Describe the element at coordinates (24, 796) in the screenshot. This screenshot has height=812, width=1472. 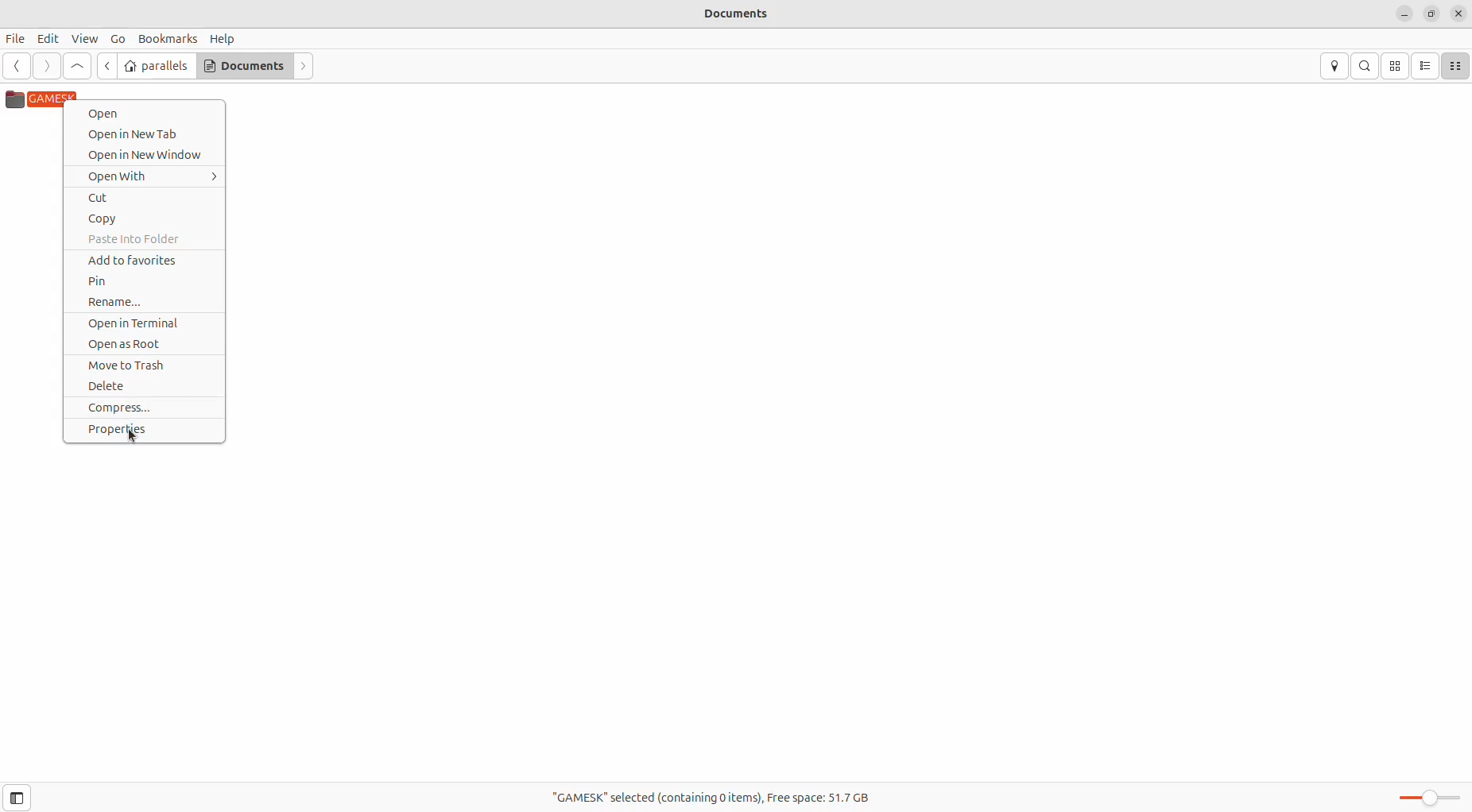
I see `toggle sidebar` at that location.